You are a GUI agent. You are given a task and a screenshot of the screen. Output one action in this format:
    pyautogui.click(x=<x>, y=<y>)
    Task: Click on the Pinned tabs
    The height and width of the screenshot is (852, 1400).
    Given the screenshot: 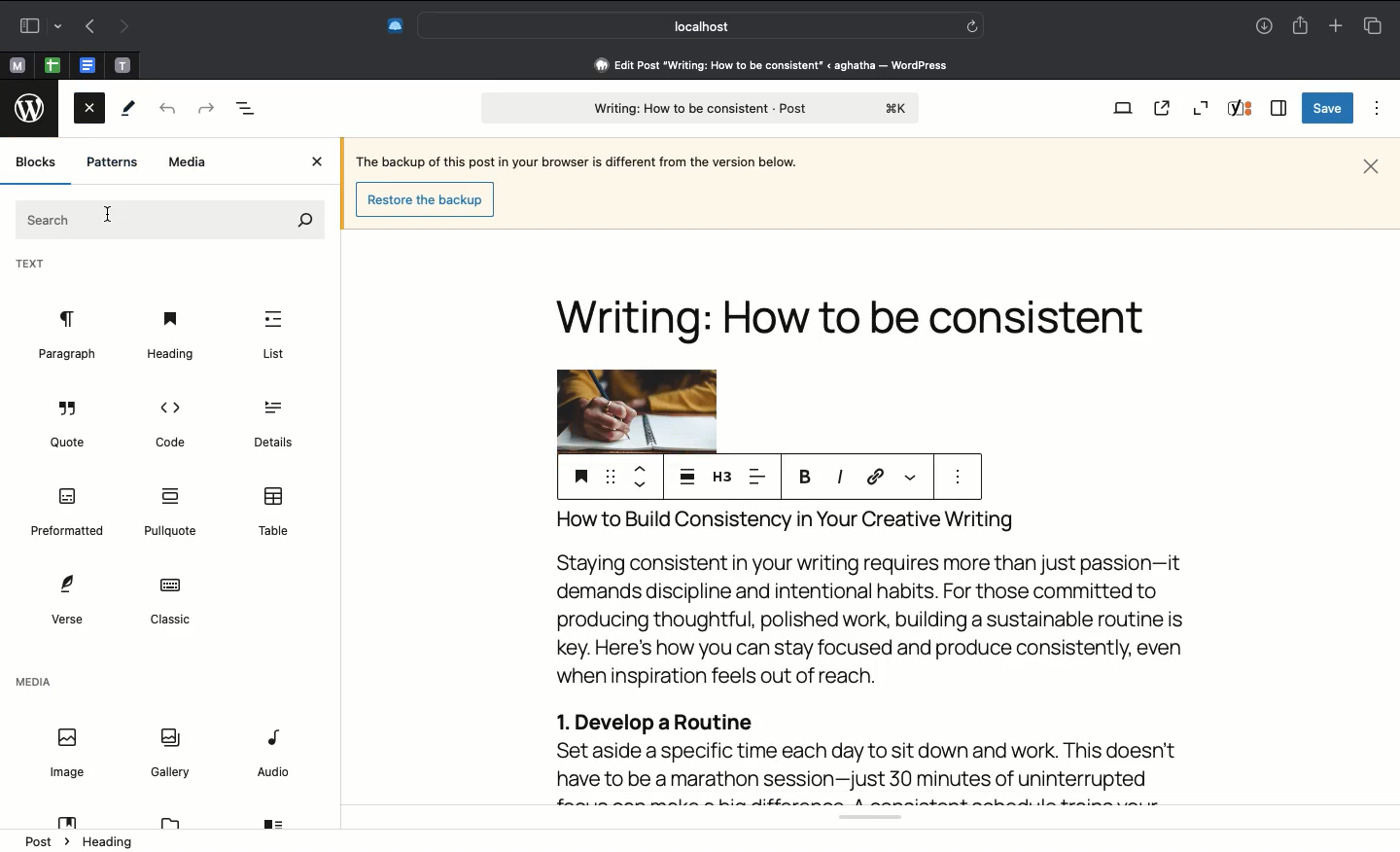 What is the action you would take?
    pyautogui.click(x=121, y=65)
    